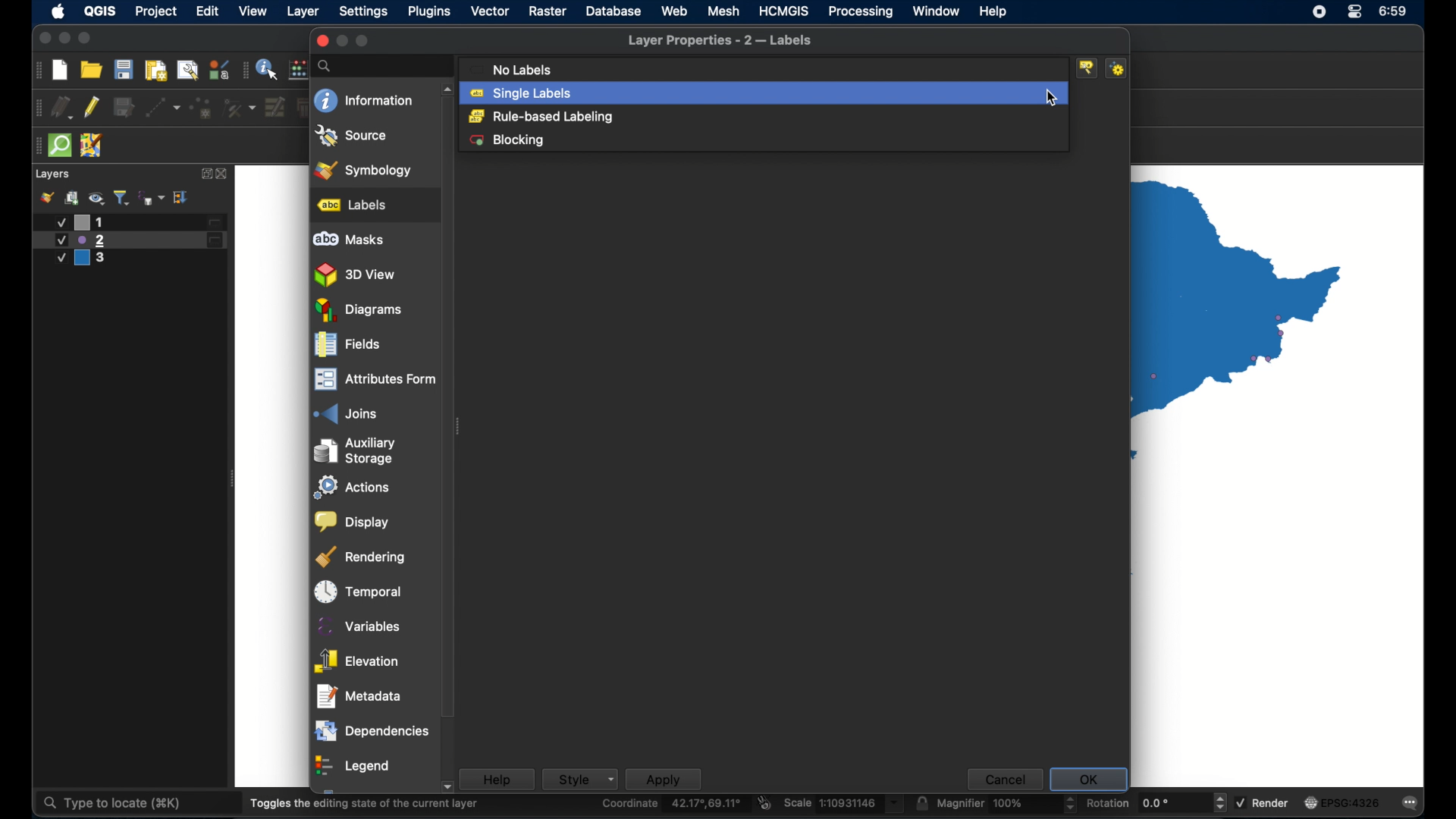 This screenshot has height=819, width=1456. What do you see at coordinates (359, 696) in the screenshot?
I see `metadata` at bounding box center [359, 696].